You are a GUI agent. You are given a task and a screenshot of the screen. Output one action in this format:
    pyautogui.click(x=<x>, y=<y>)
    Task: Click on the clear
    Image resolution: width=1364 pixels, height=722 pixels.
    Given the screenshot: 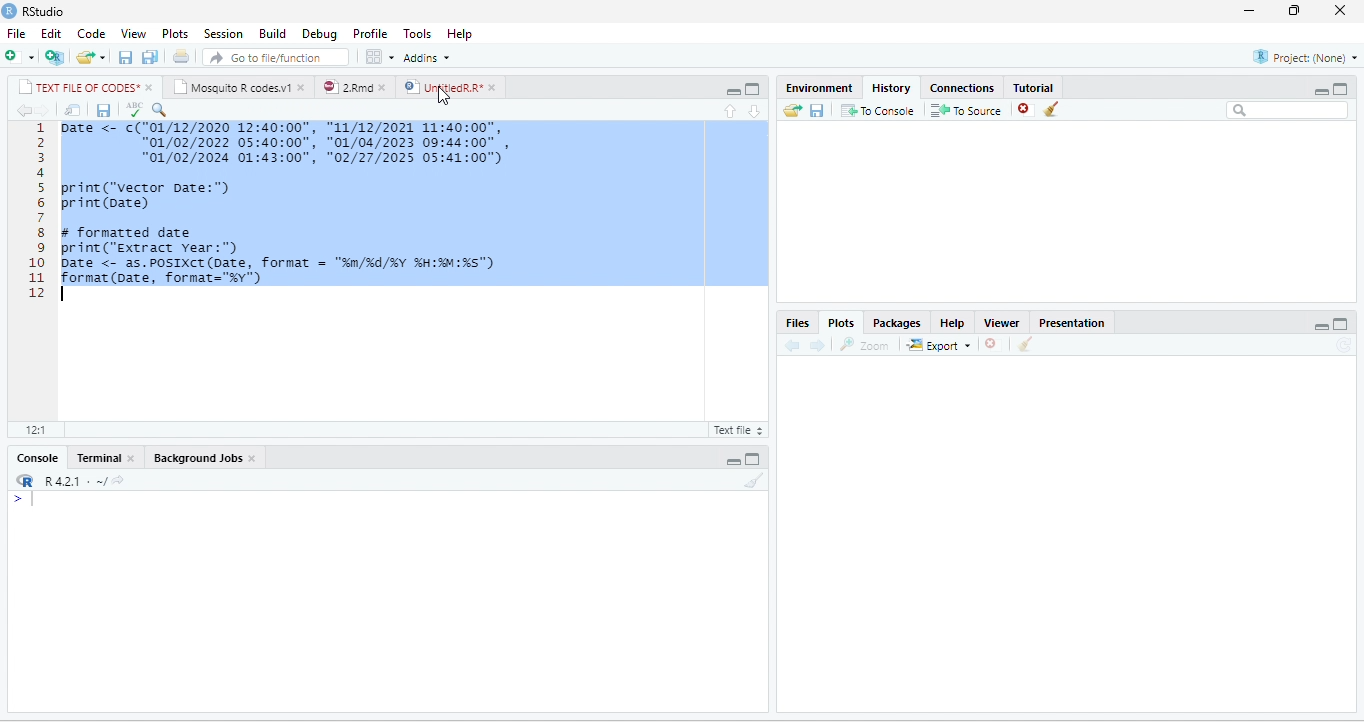 What is the action you would take?
    pyautogui.click(x=1052, y=109)
    